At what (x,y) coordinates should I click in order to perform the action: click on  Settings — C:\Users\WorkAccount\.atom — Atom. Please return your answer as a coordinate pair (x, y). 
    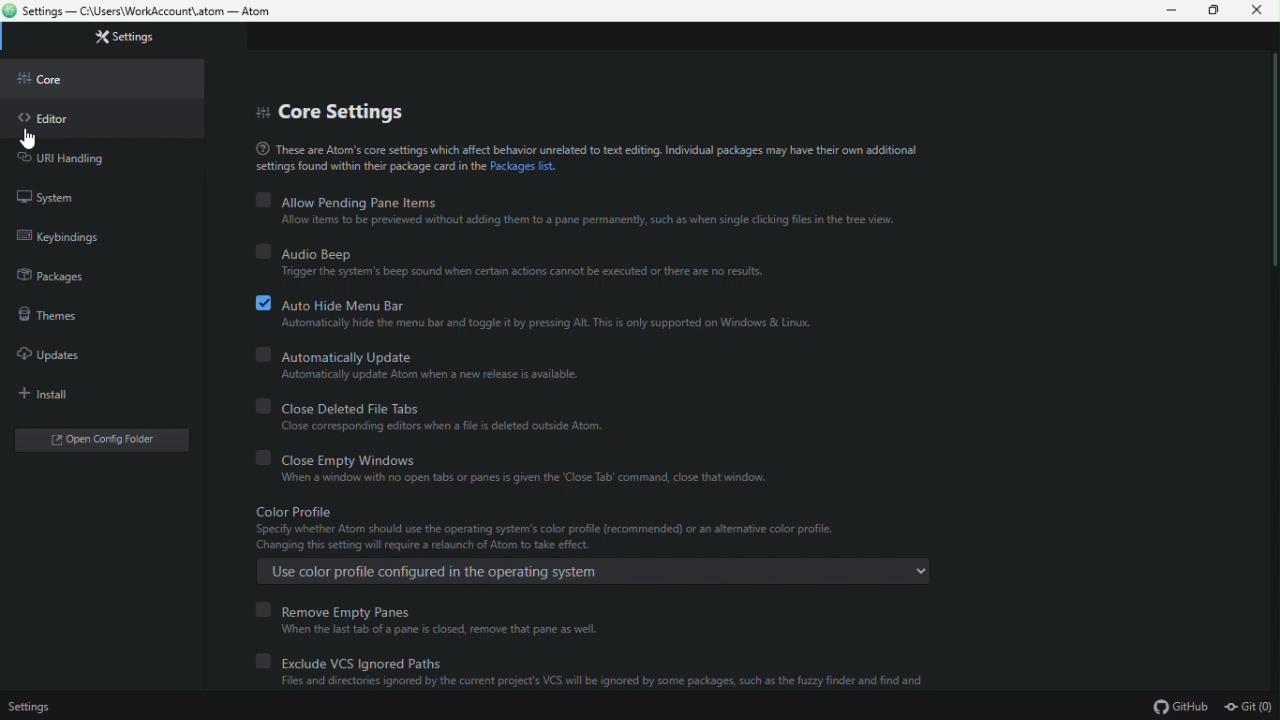
    Looking at the image, I should click on (150, 12).